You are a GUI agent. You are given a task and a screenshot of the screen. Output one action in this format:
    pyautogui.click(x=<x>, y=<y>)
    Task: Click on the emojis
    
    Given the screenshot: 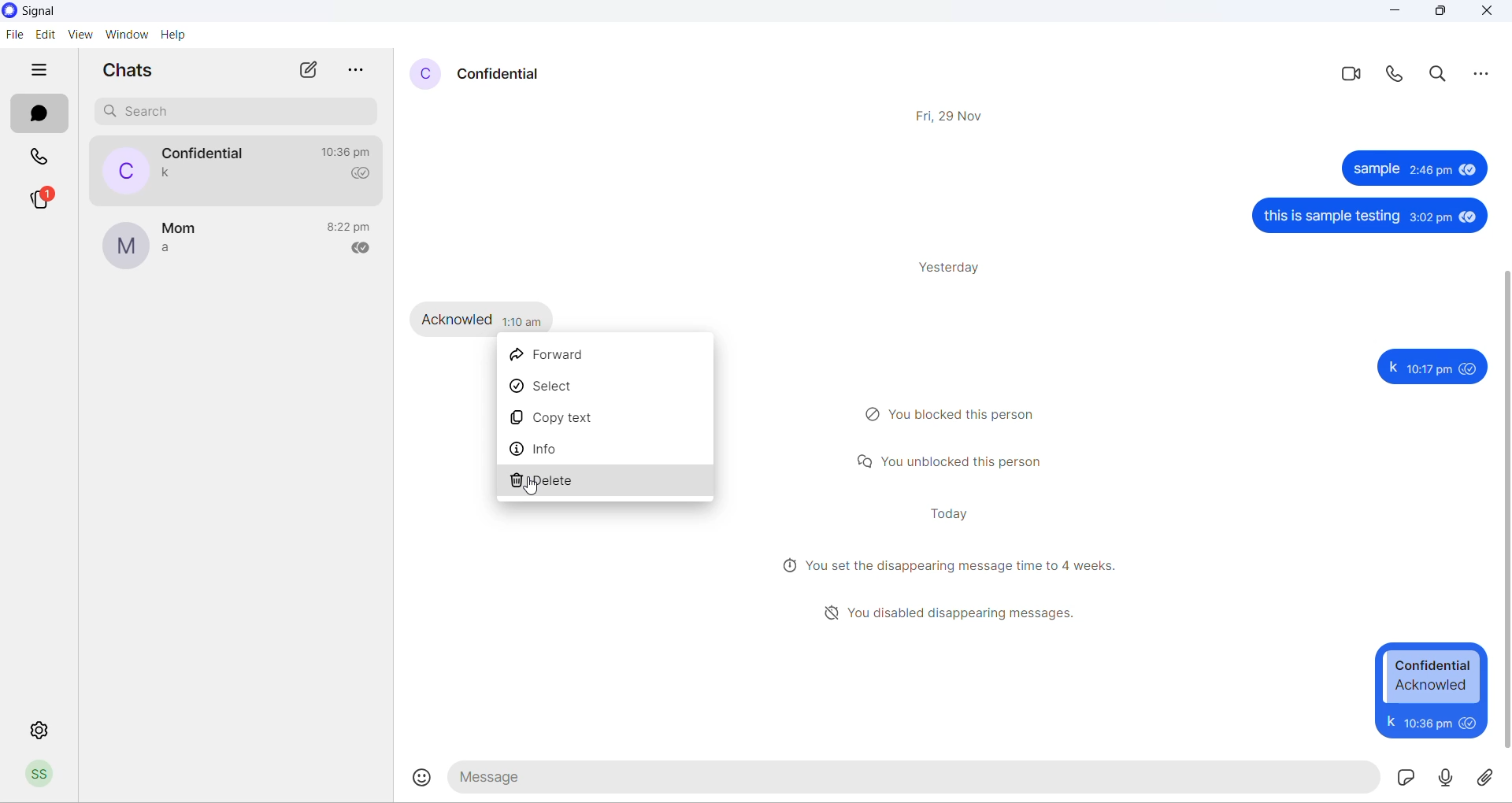 What is the action you would take?
    pyautogui.click(x=420, y=780)
    